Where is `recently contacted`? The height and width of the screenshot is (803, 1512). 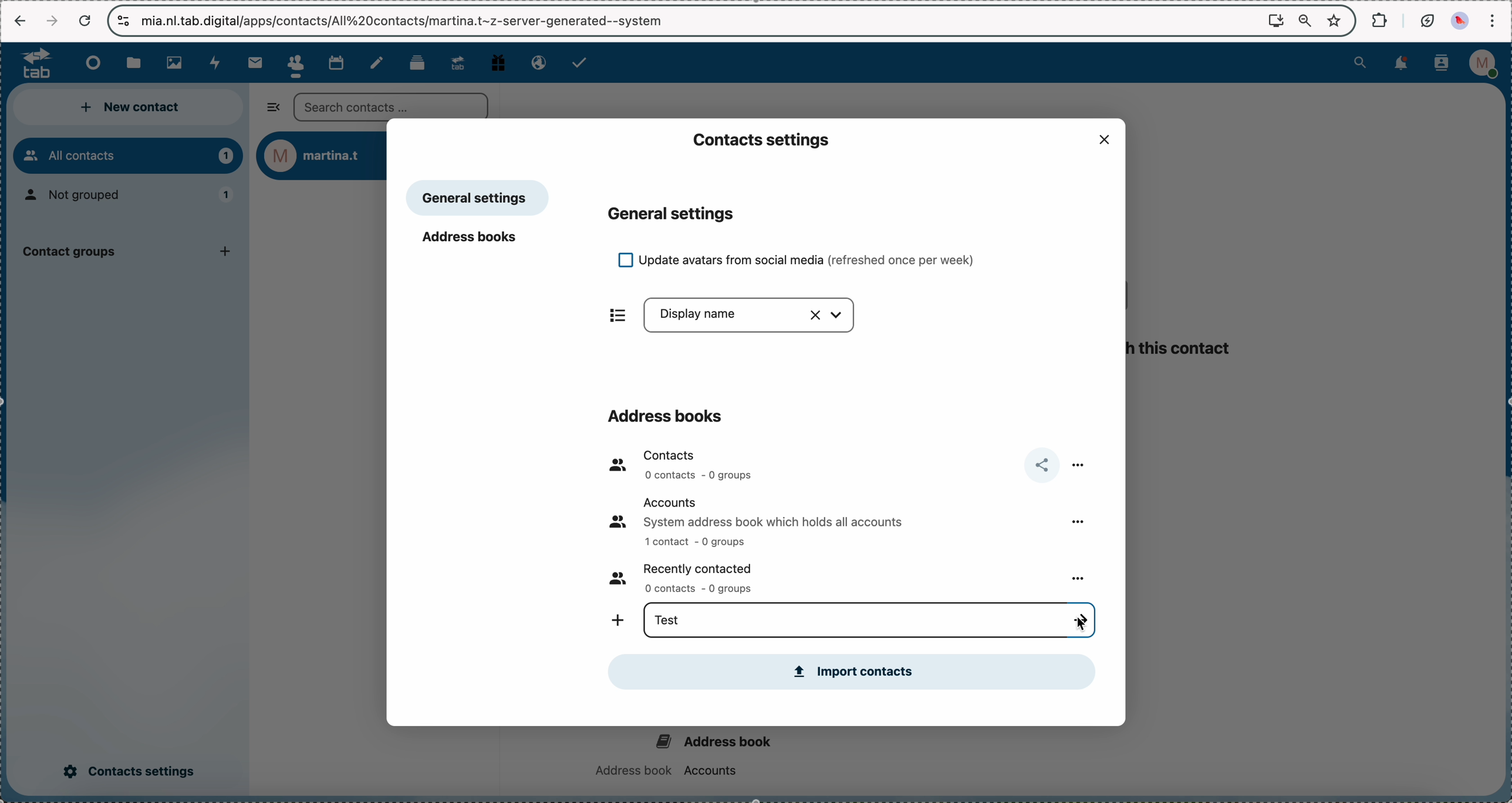
recently contacted is located at coordinates (691, 577).